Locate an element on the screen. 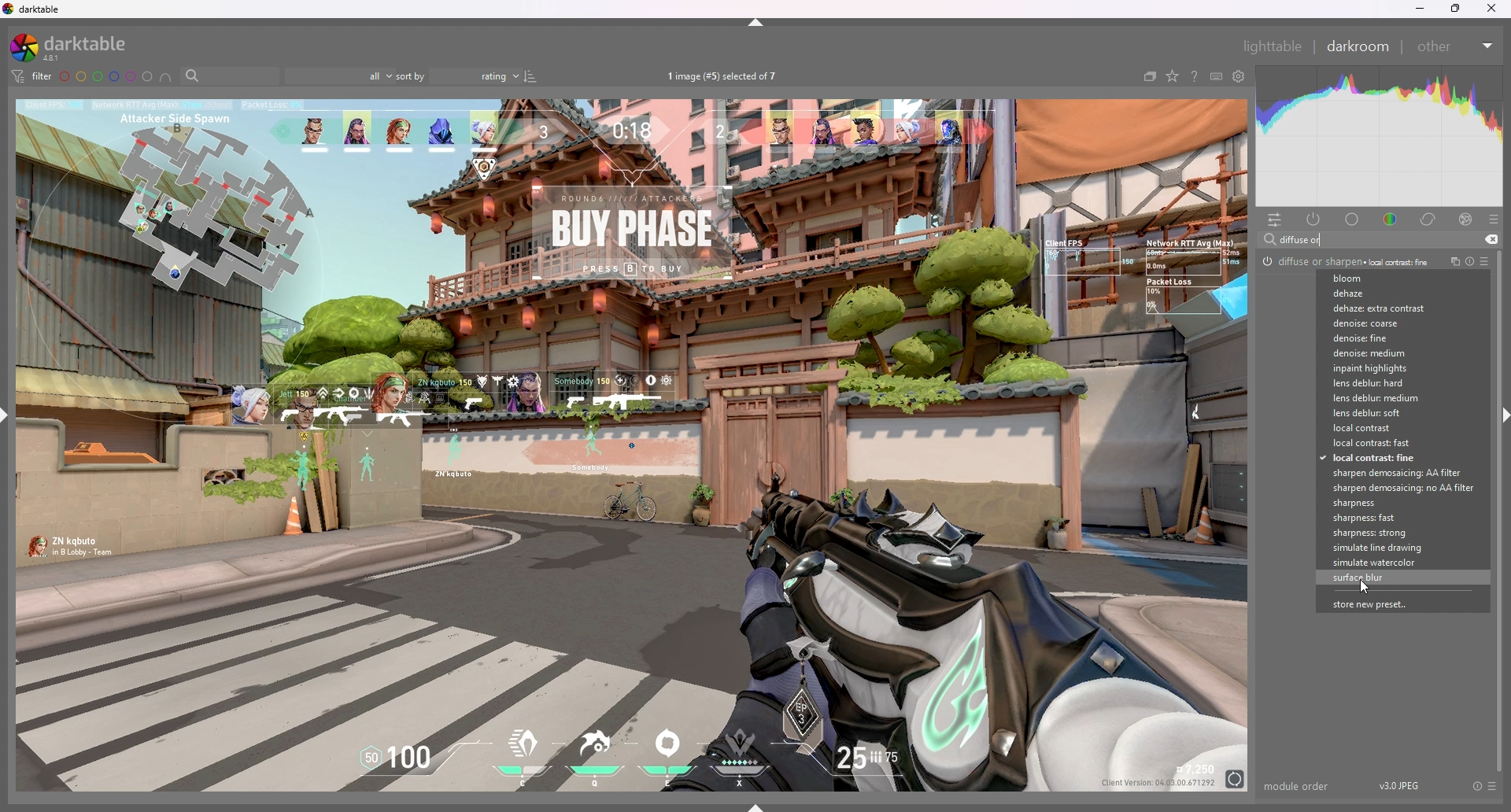 This screenshot has height=812, width=1511. sharpness fast is located at coordinates (1399, 518).